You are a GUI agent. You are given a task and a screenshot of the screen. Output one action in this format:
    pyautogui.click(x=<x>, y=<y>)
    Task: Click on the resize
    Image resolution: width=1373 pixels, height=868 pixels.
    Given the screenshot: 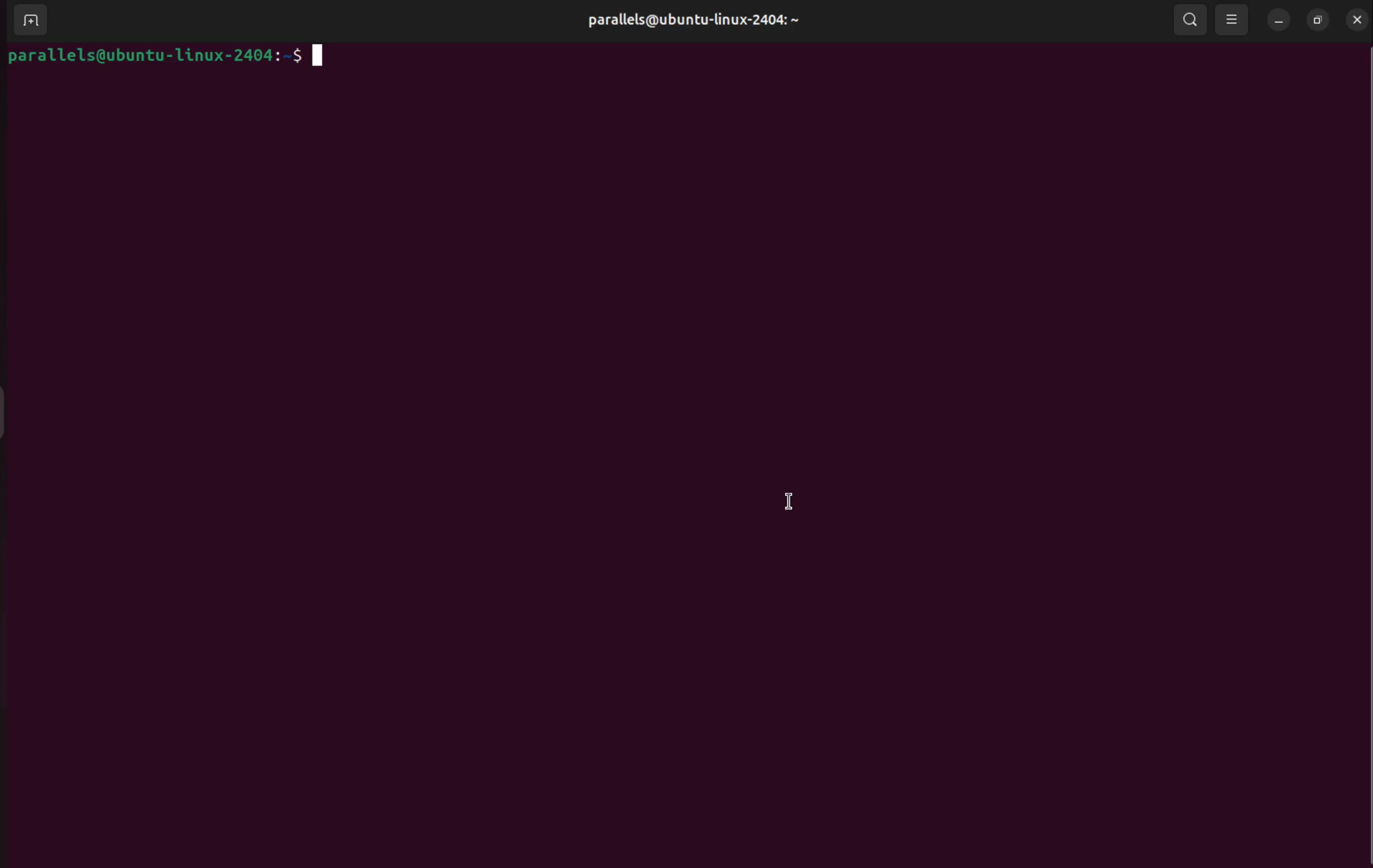 What is the action you would take?
    pyautogui.click(x=1318, y=20)
    